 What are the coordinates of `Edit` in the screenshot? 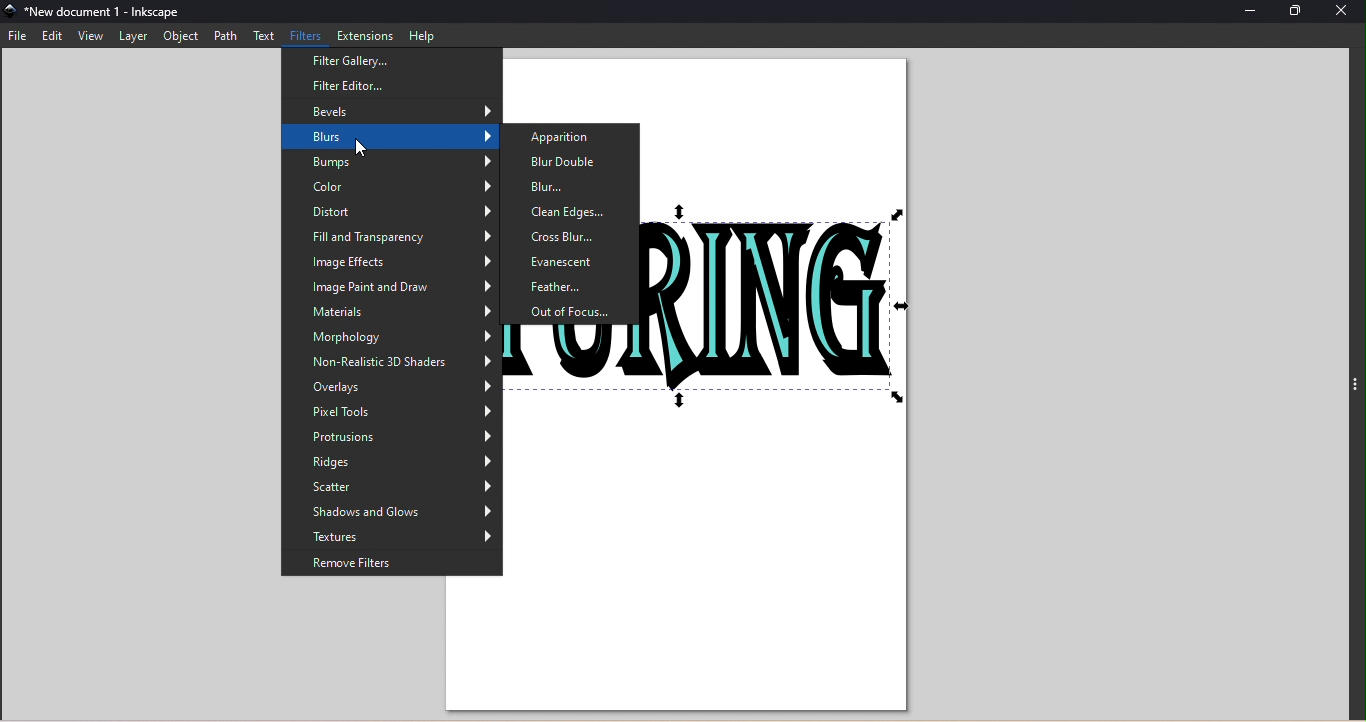 It's located at (52, 38).